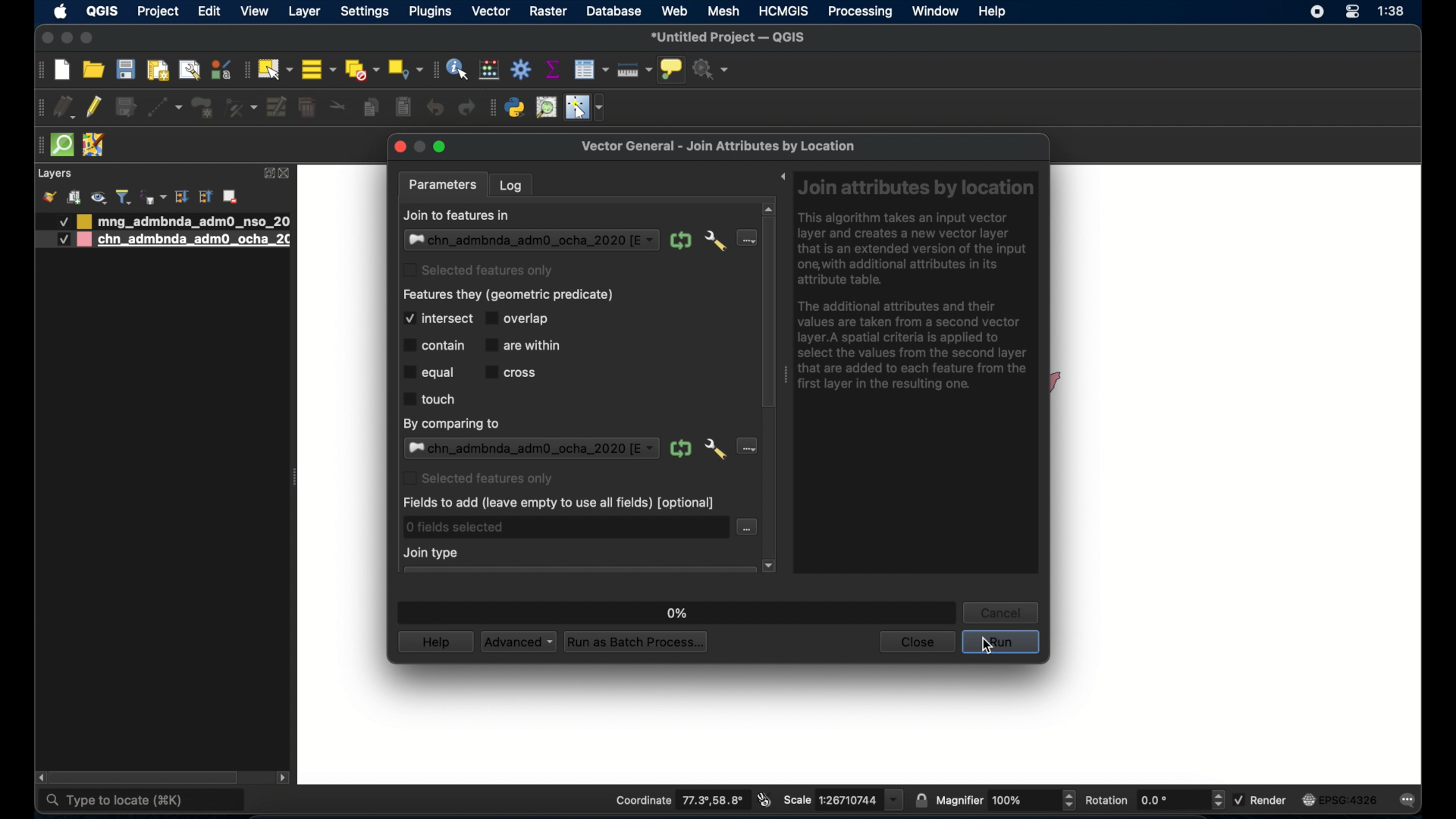 The width and height of the screenshot is (1456, 819). Describe the element at coordinates (165, 108) in the screenshot. I see `digitize with segment` at that location.